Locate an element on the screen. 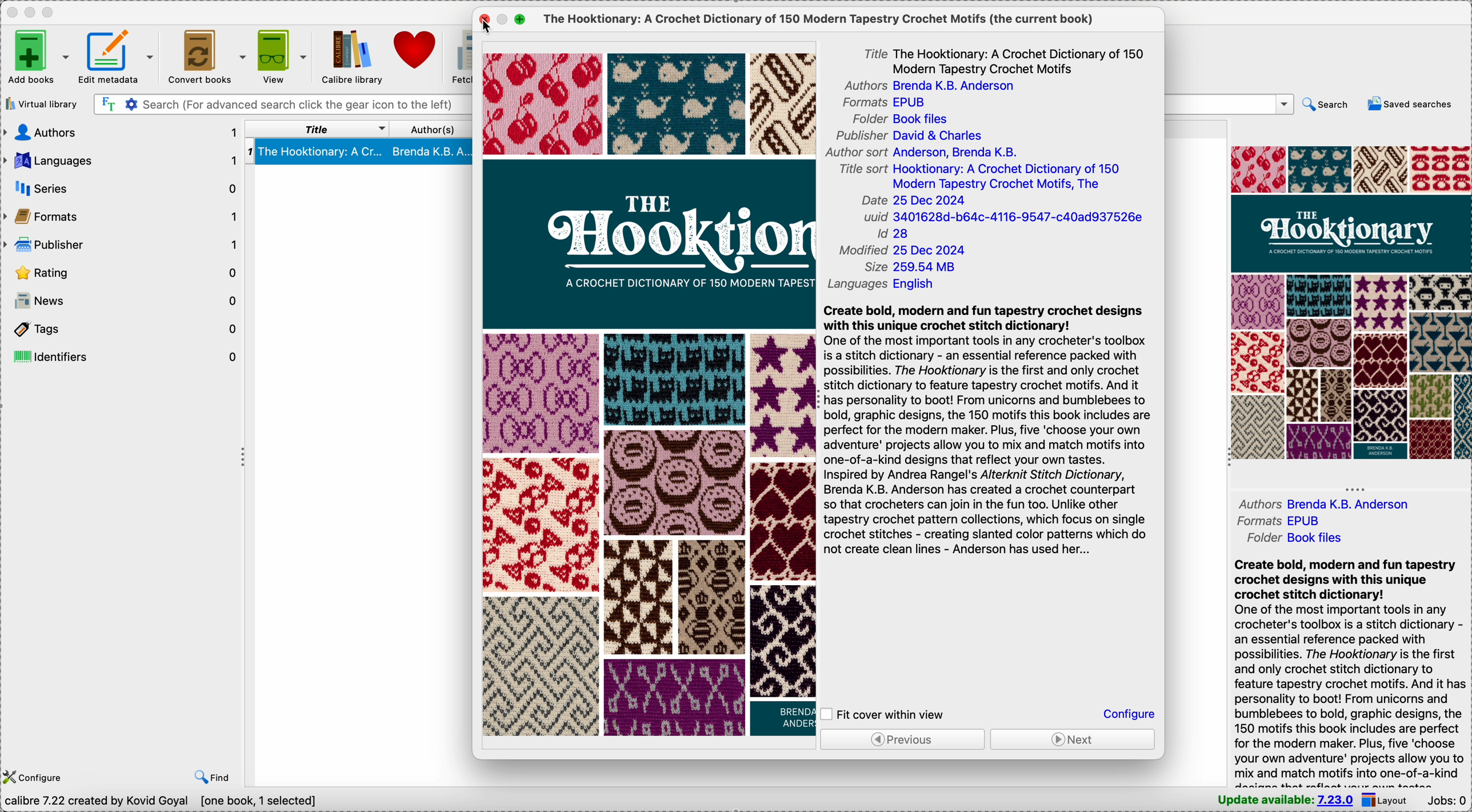 This screenshot has height=812, width=1472. previous is located at coordinates (905, 739).